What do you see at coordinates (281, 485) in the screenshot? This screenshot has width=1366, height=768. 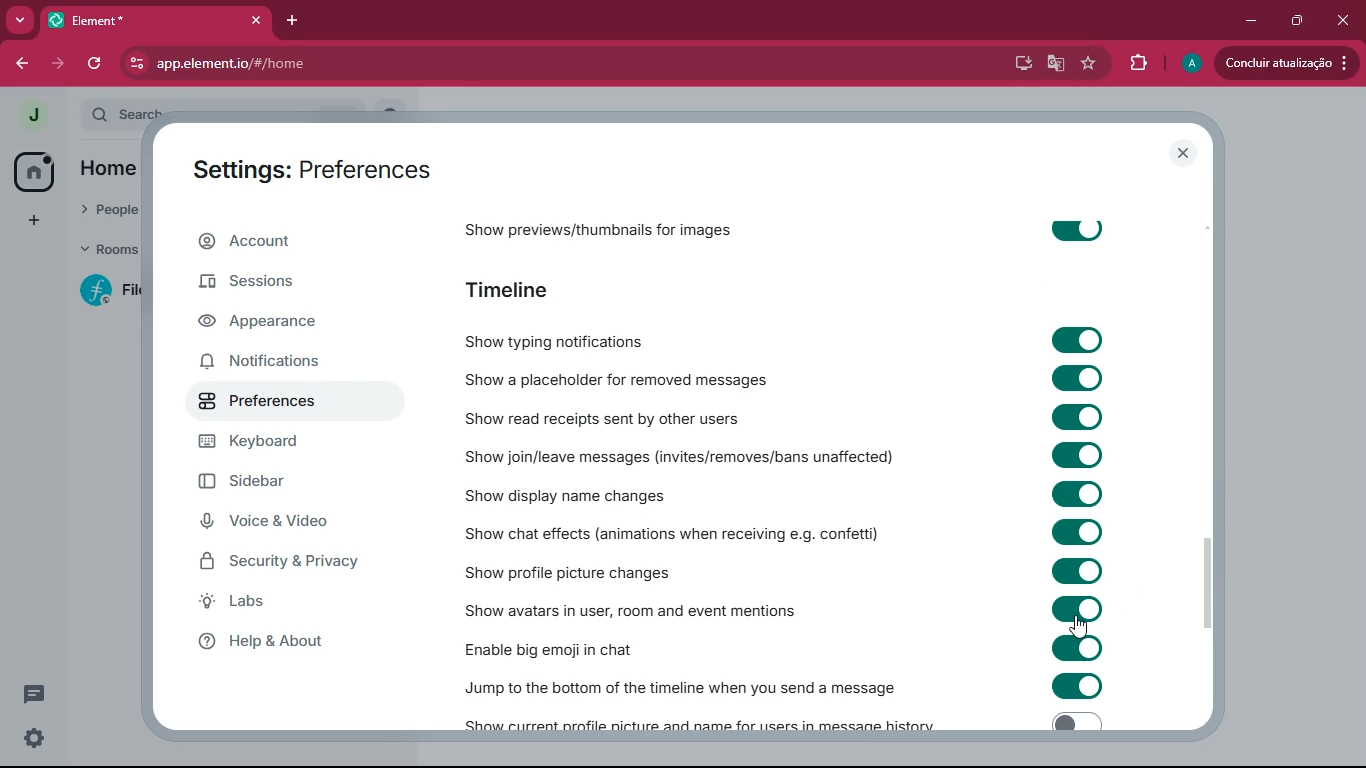 I see `sidebar` at bounding box center [281, 485].